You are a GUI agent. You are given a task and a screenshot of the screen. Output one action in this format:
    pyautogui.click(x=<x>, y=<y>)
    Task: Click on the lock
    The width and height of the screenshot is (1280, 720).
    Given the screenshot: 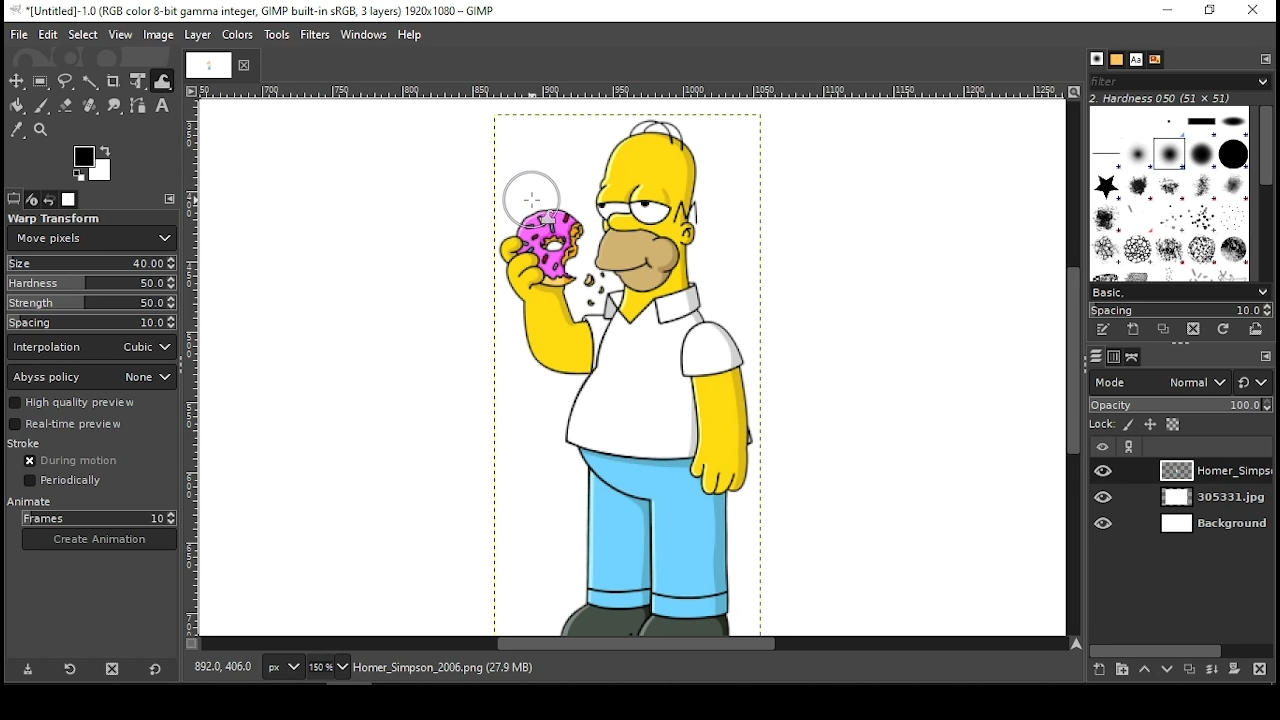 What is the action you would take?
    pyautogui.click(x=1102, y=425)
    